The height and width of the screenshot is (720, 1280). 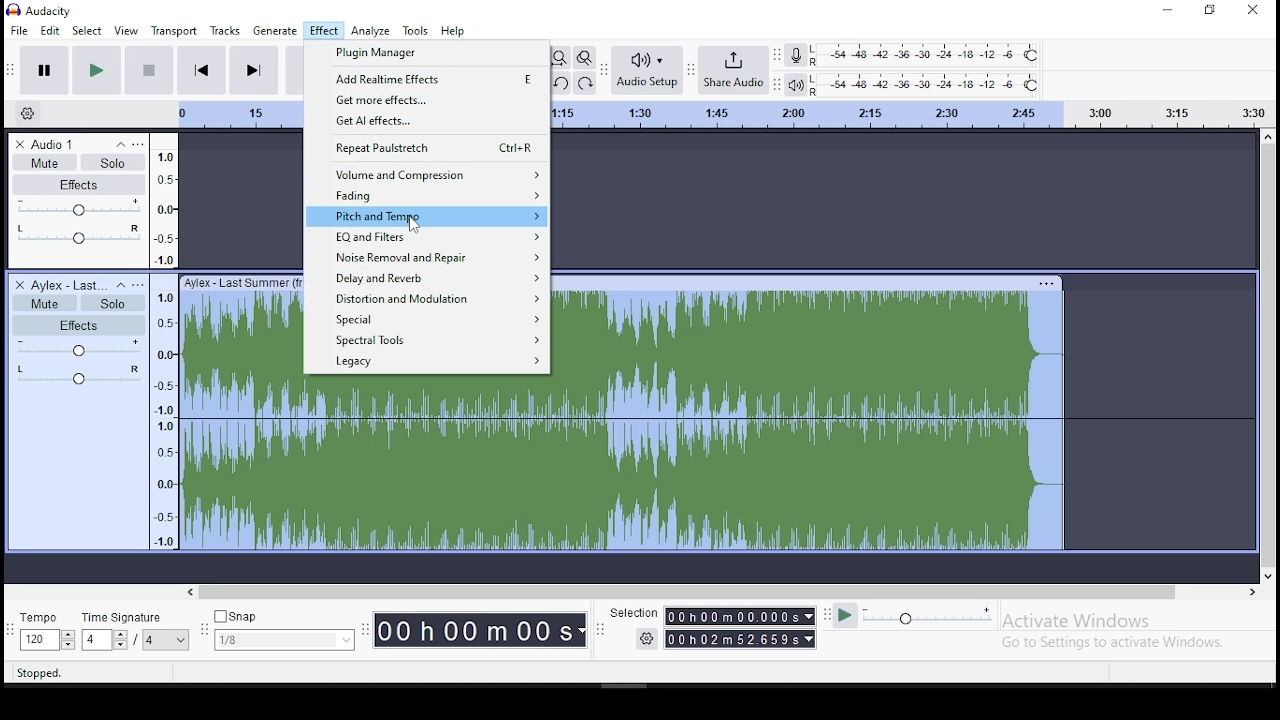 What do you see at coordinates (19, 30) in the screenshot?
I see `file` at bounding box center [19, 30].